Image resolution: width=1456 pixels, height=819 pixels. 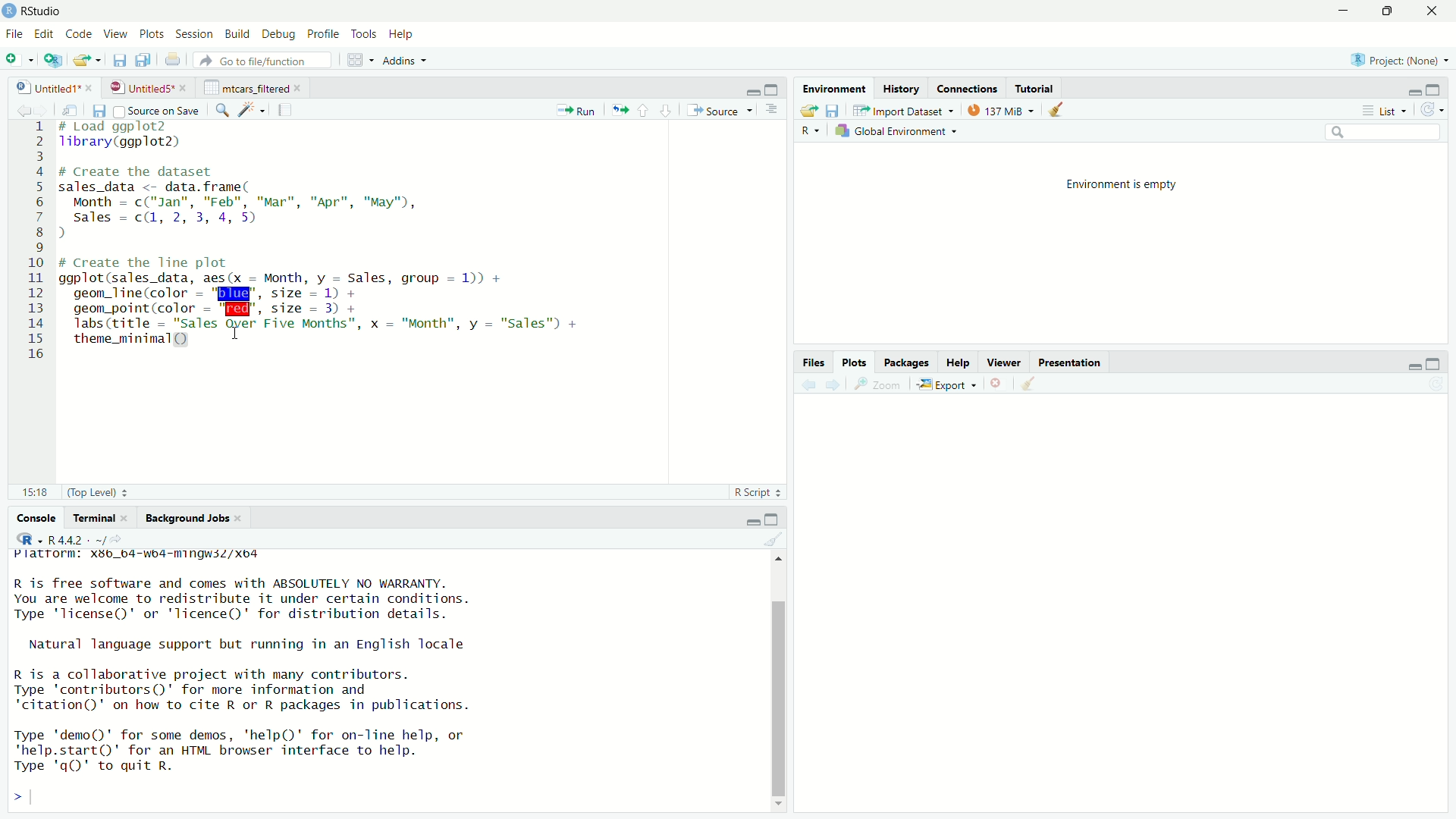 I want to click on forward, so click(x=834, y=385).